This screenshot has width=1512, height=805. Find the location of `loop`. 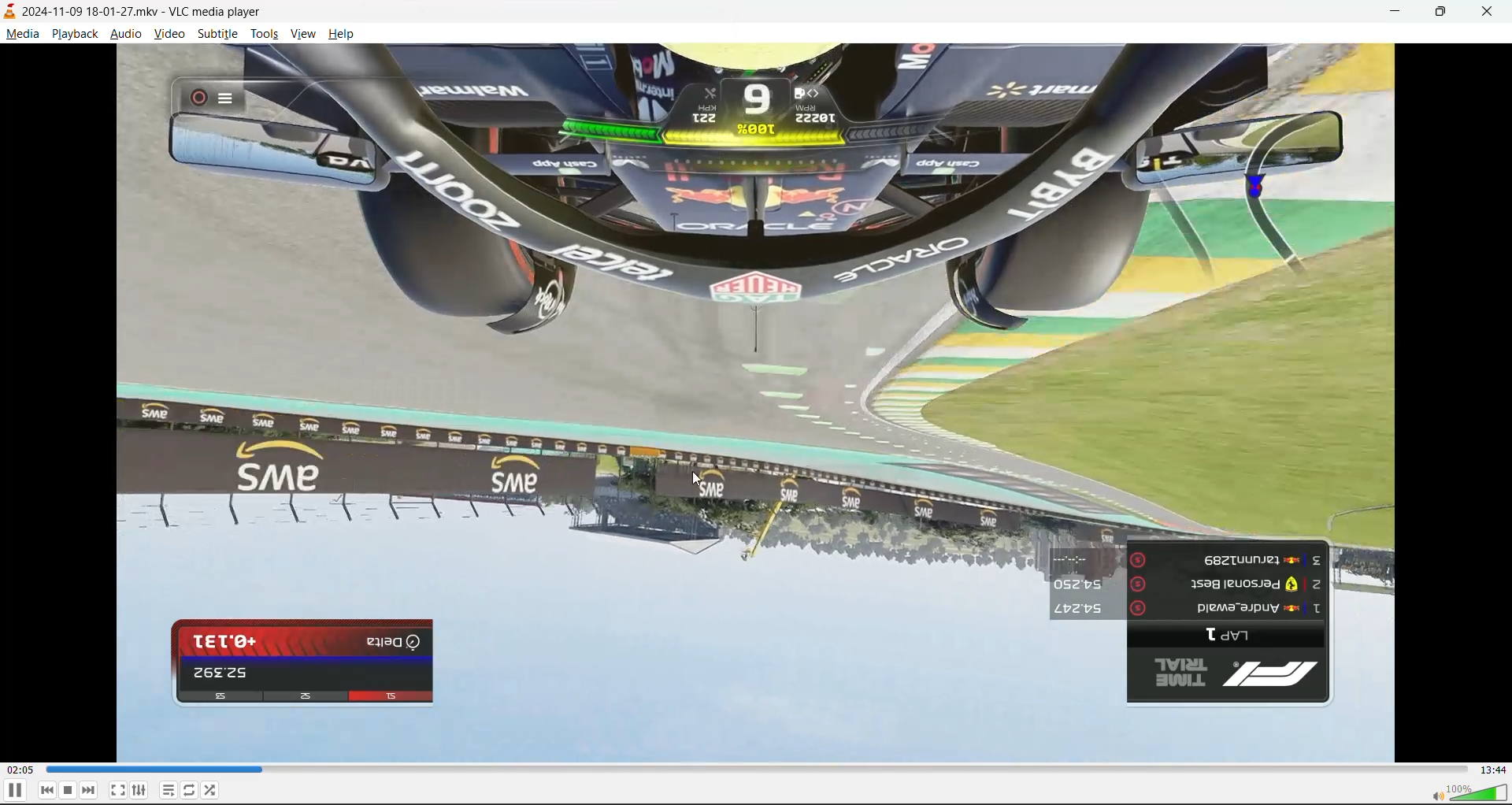

loop is located at coordinates (187, 792).